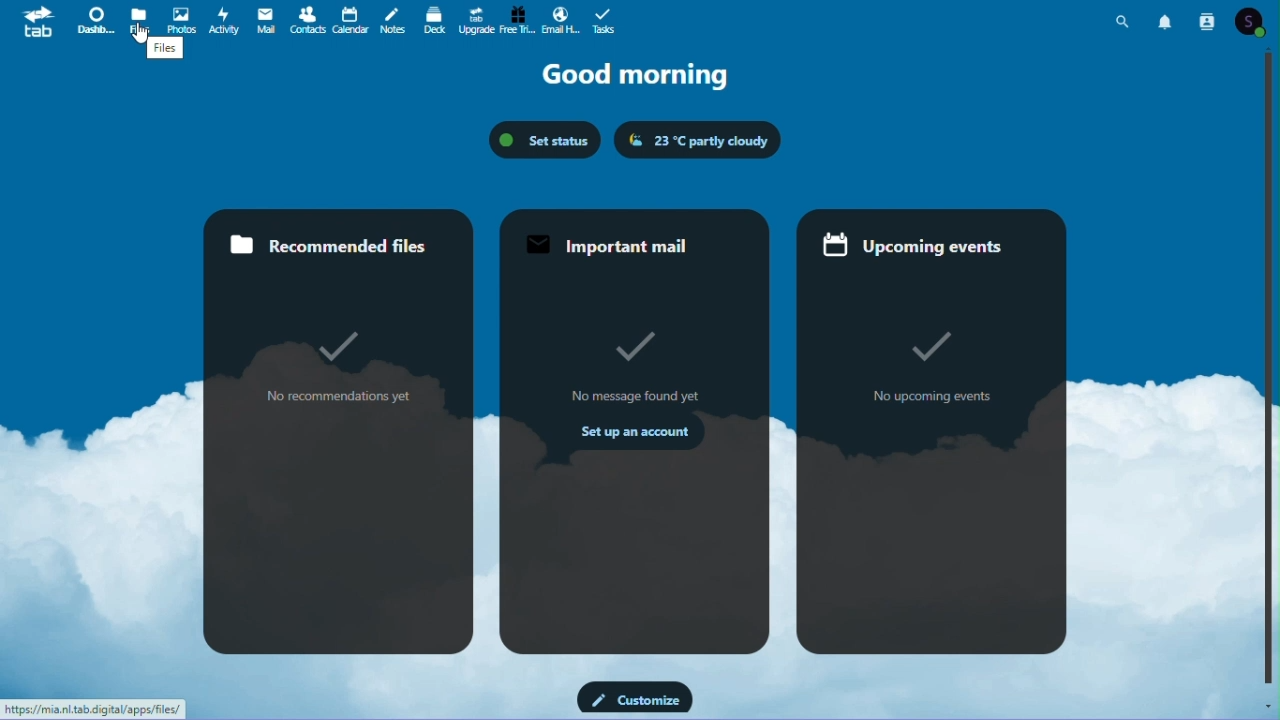  I want to click on Account icon, so click(1256, 22).